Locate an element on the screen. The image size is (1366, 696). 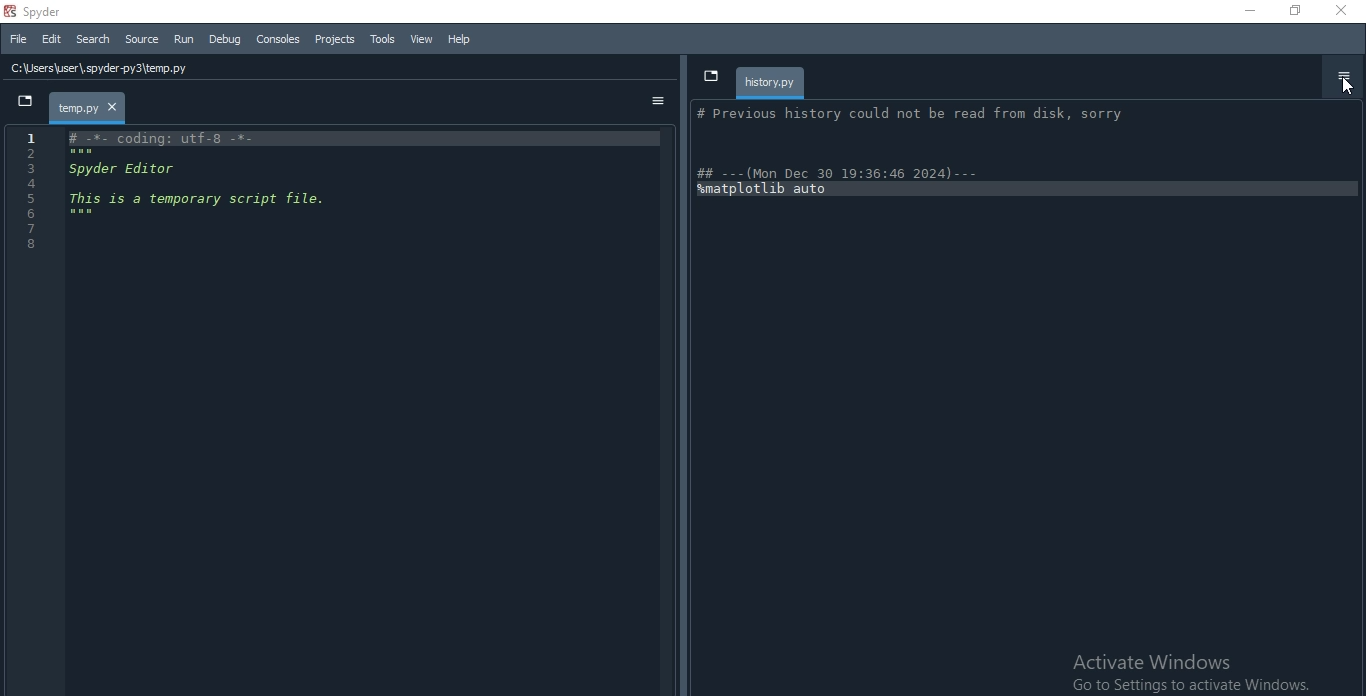
Tools is located at coordinates (383, 38).